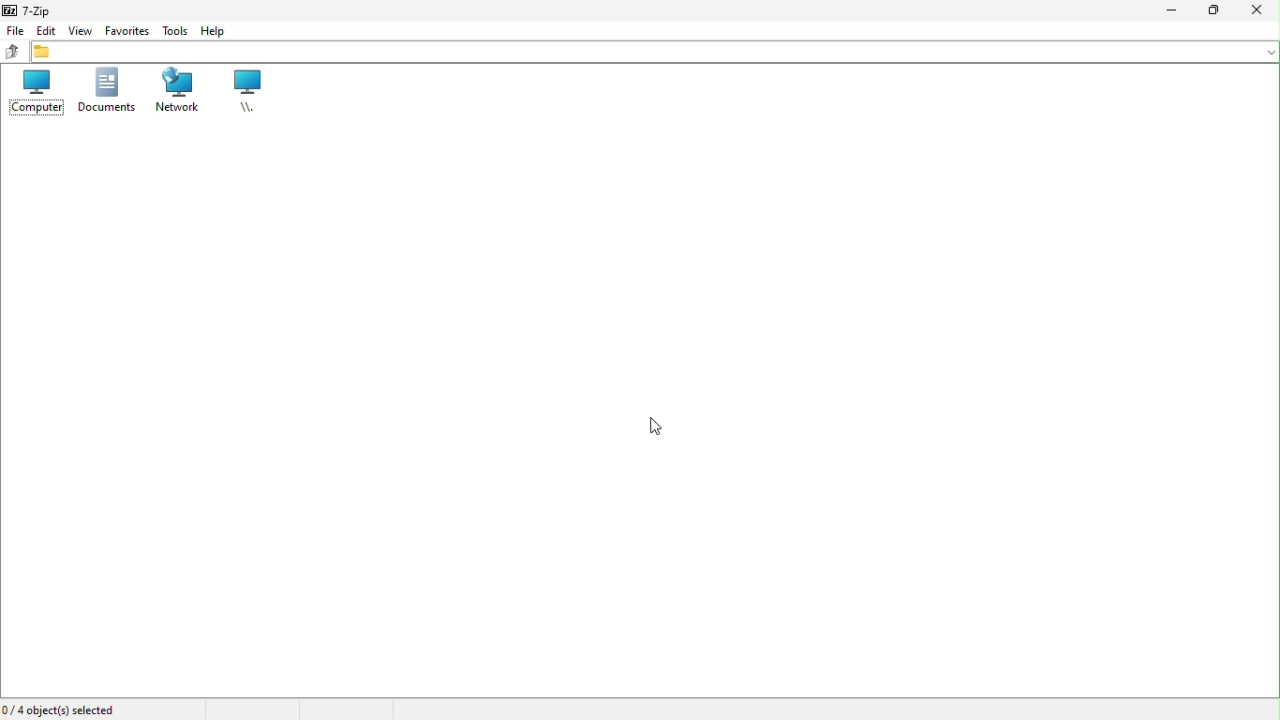 The width and height of the screenshot is (1280, 720). What do you see at coordinates (172, 87) in the screenshot?
I see `Network` at bounding box center [172, 87].